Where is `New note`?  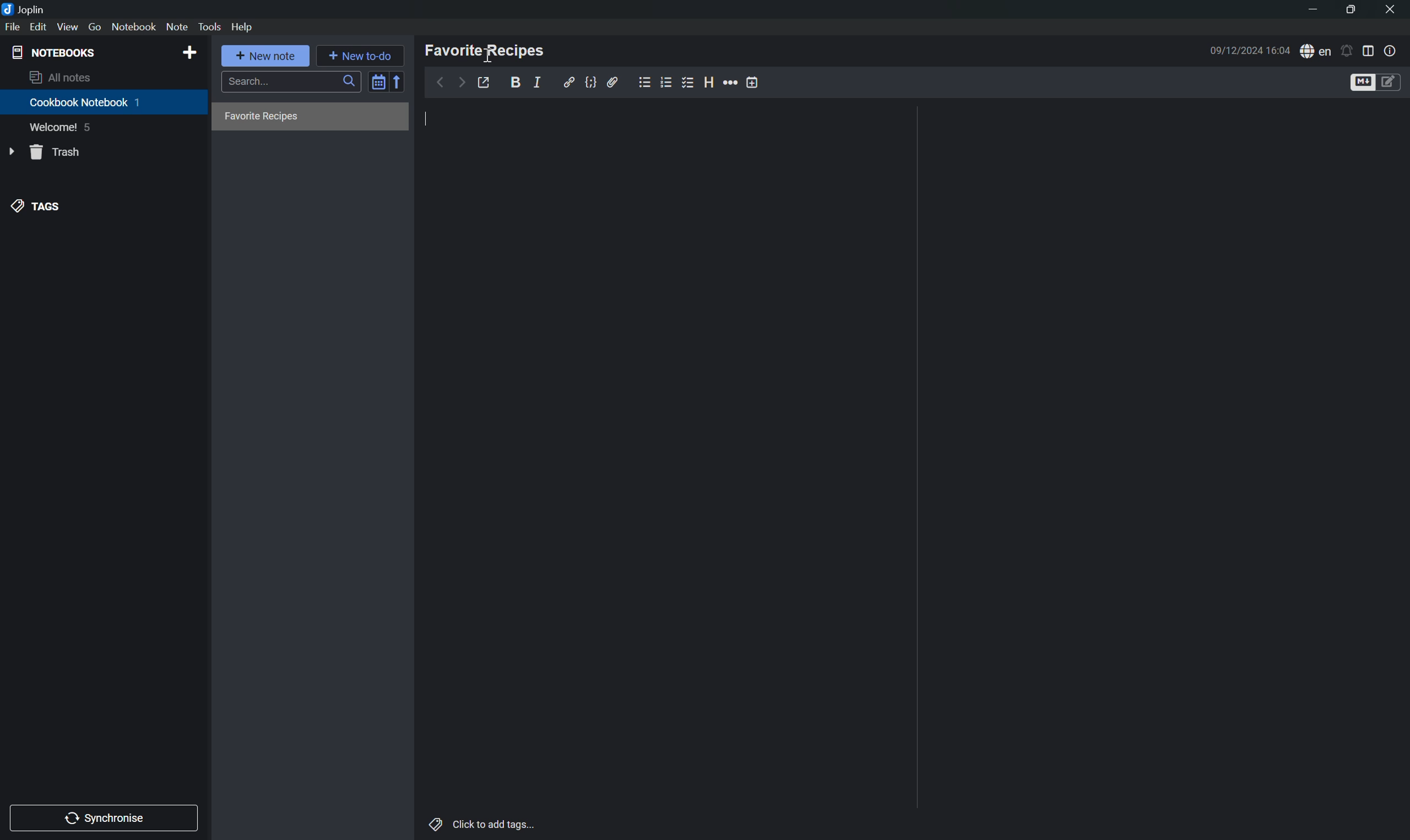
New note is located at coordinates (266, 54).